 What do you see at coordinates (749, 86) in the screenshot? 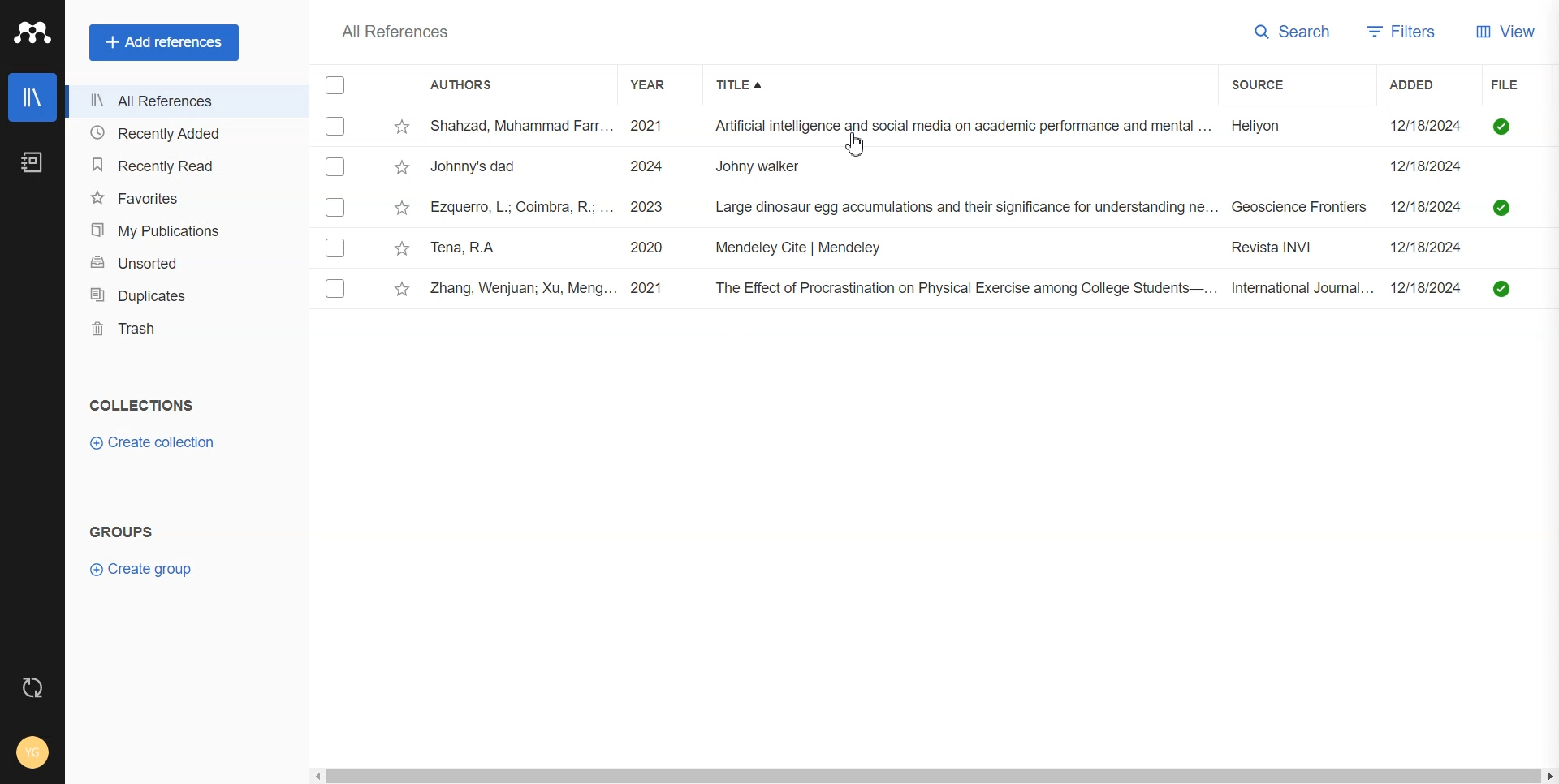
I see `Title` at bounding box center [749, 86].